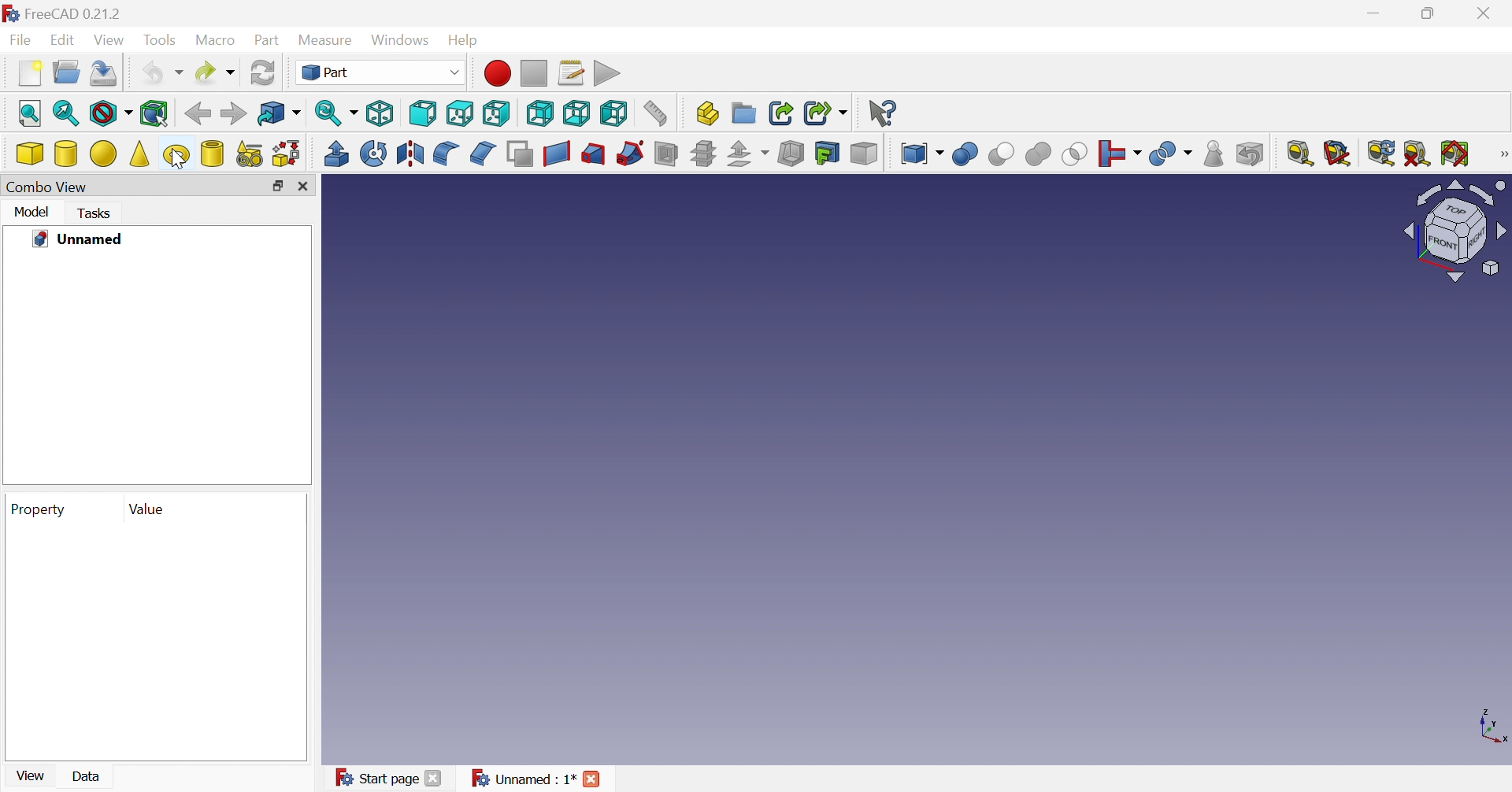  I want to click on Top, so click(499, 113).